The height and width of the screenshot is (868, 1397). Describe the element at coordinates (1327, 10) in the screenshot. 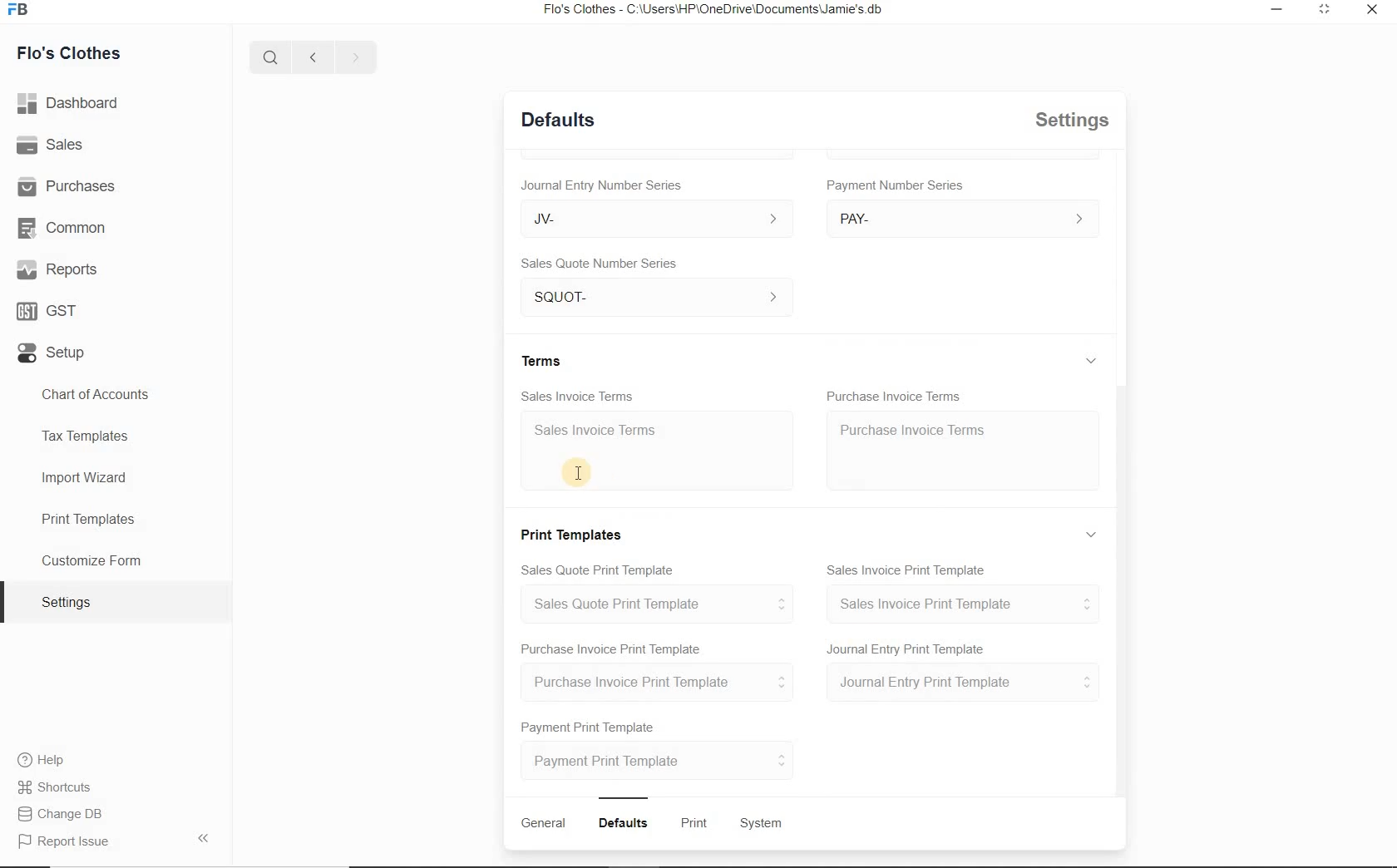

I see `Maximize` at that location.